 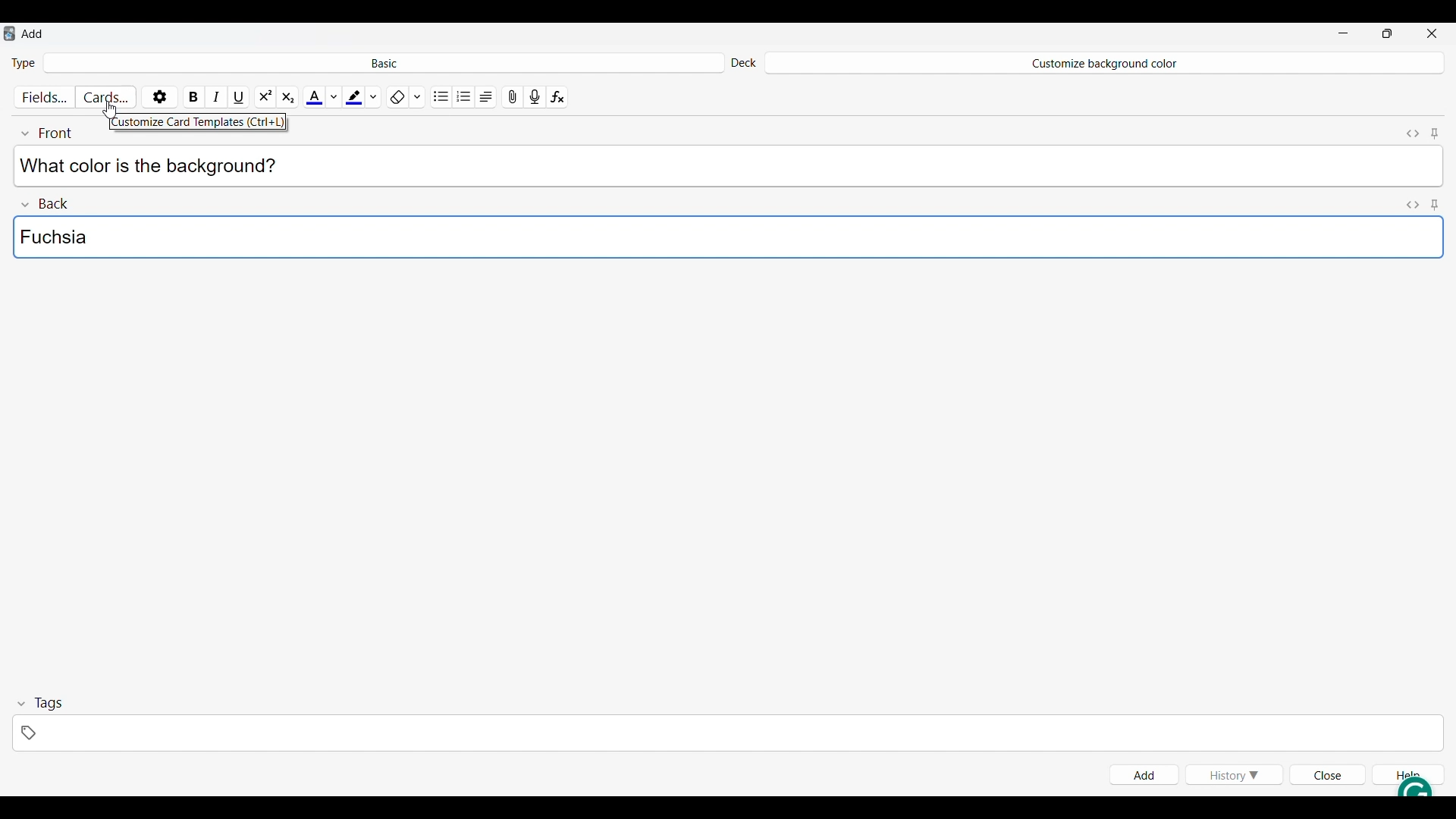 What do you see at coordinates (1103, 63) in the screenshot?
I see `Deck name changed` at bounding box center [1103, 63].